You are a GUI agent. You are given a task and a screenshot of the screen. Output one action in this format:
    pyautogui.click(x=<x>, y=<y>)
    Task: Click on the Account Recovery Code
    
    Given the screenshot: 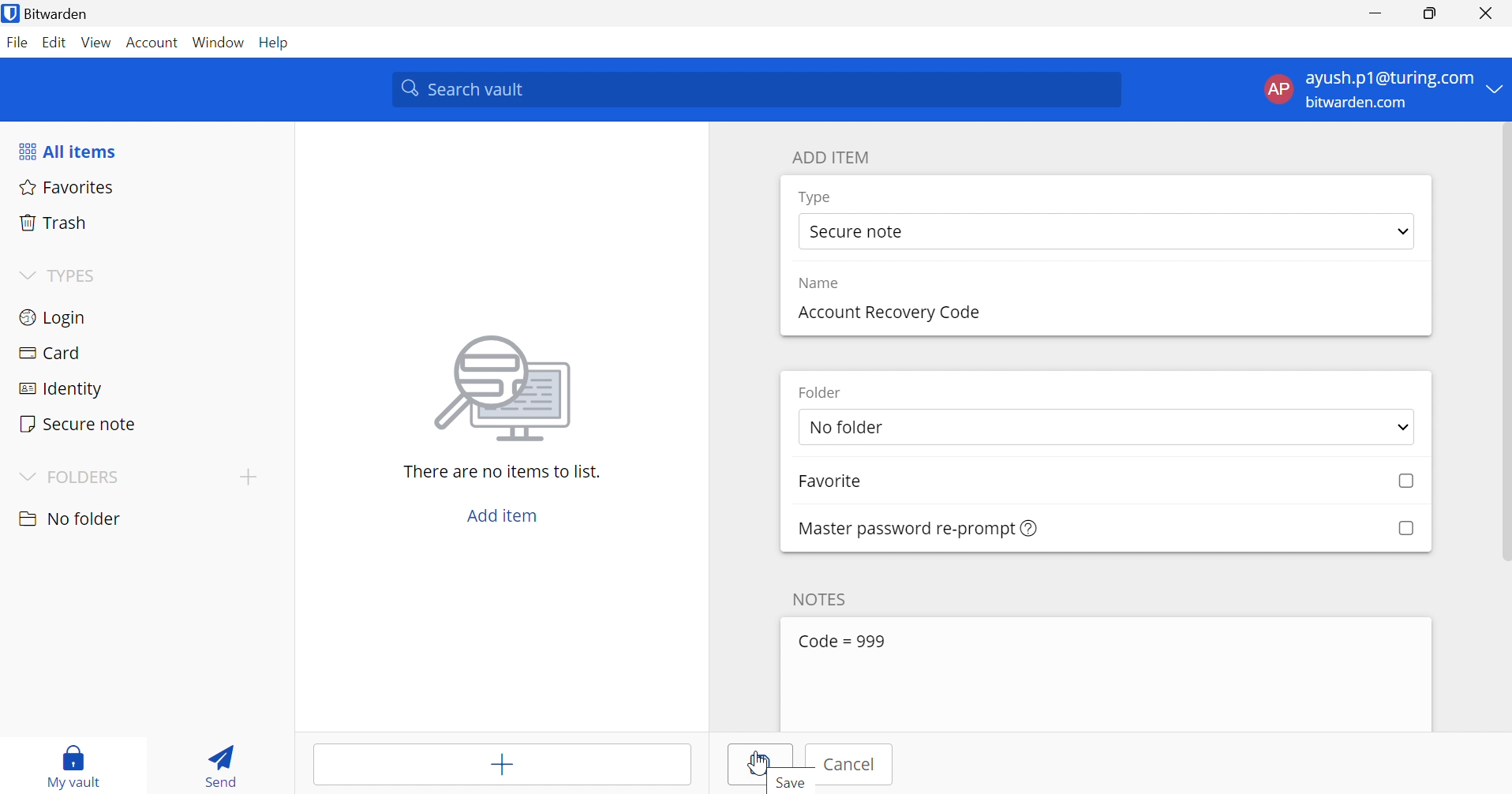 What is the action you would take?
    pyautogui.click(x=887, y=311)
    